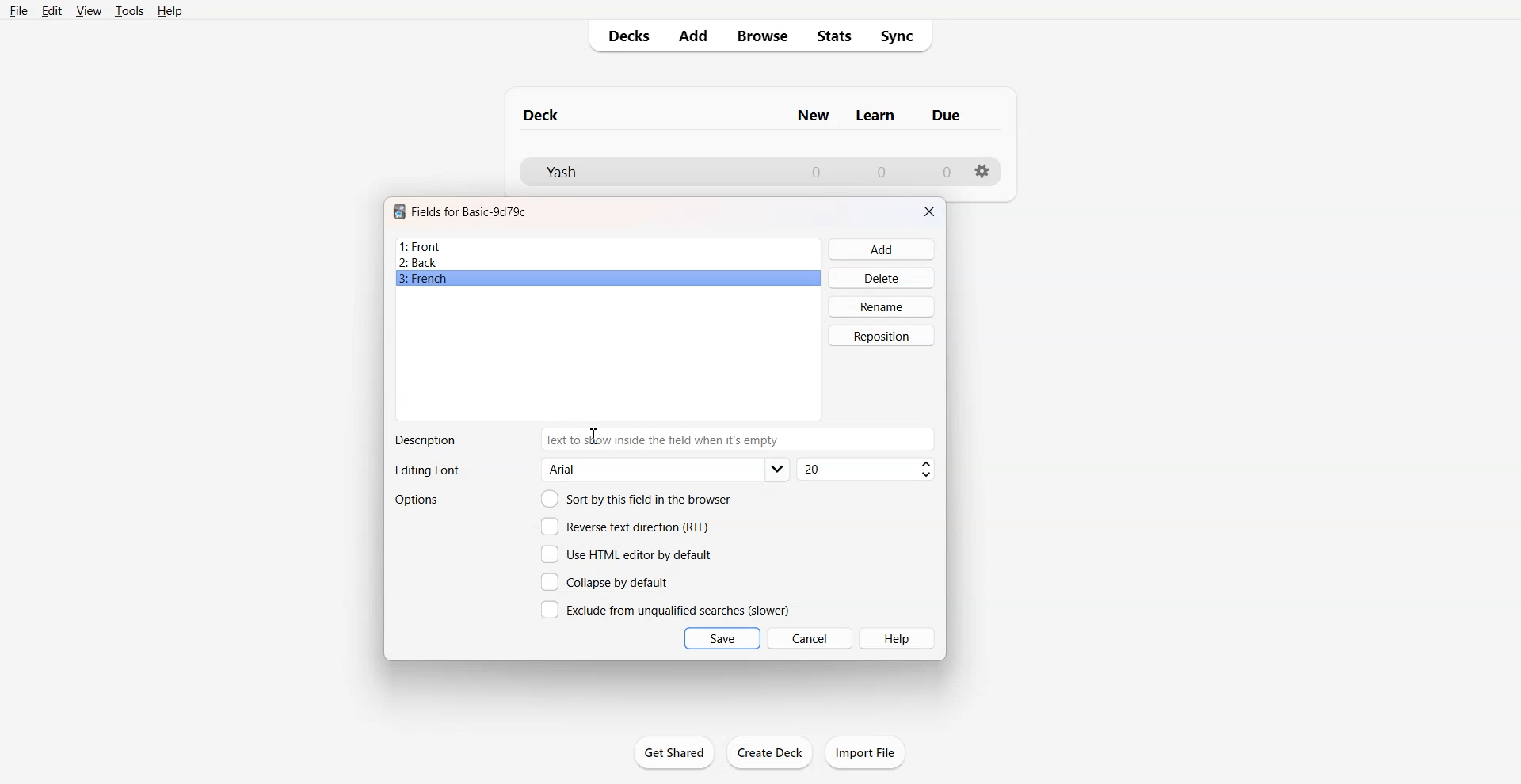 The height and width of the screenshot is (784, 1521). I want to click on Reverse text direction (RTL), so click(625, 527).